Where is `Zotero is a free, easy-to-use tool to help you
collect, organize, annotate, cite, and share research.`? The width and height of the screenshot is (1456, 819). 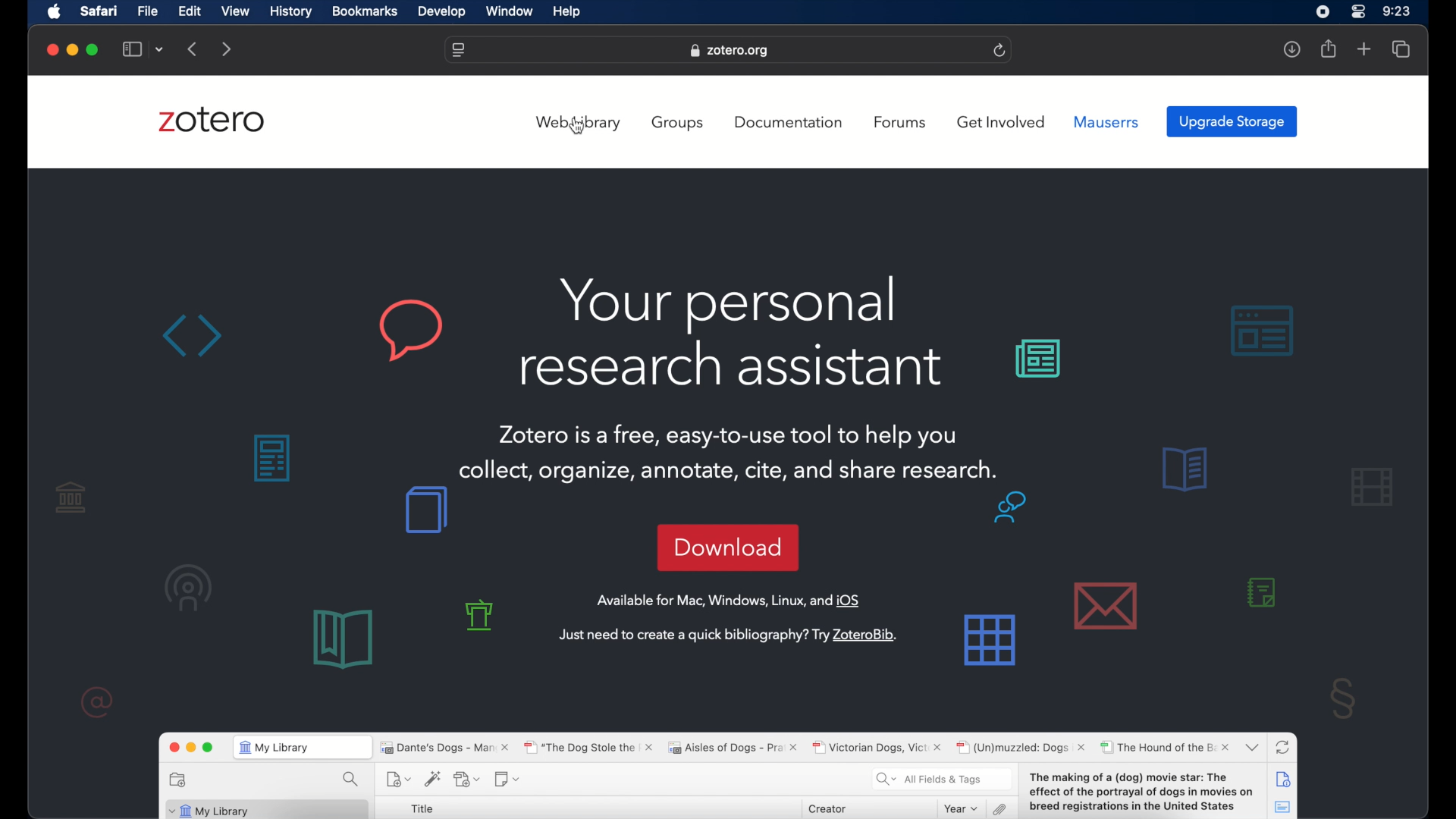 Zotero is a free, easy-to-use tool to help you
collect, organize, annotate, cite, and share research. is located at coordinates (735, 454).